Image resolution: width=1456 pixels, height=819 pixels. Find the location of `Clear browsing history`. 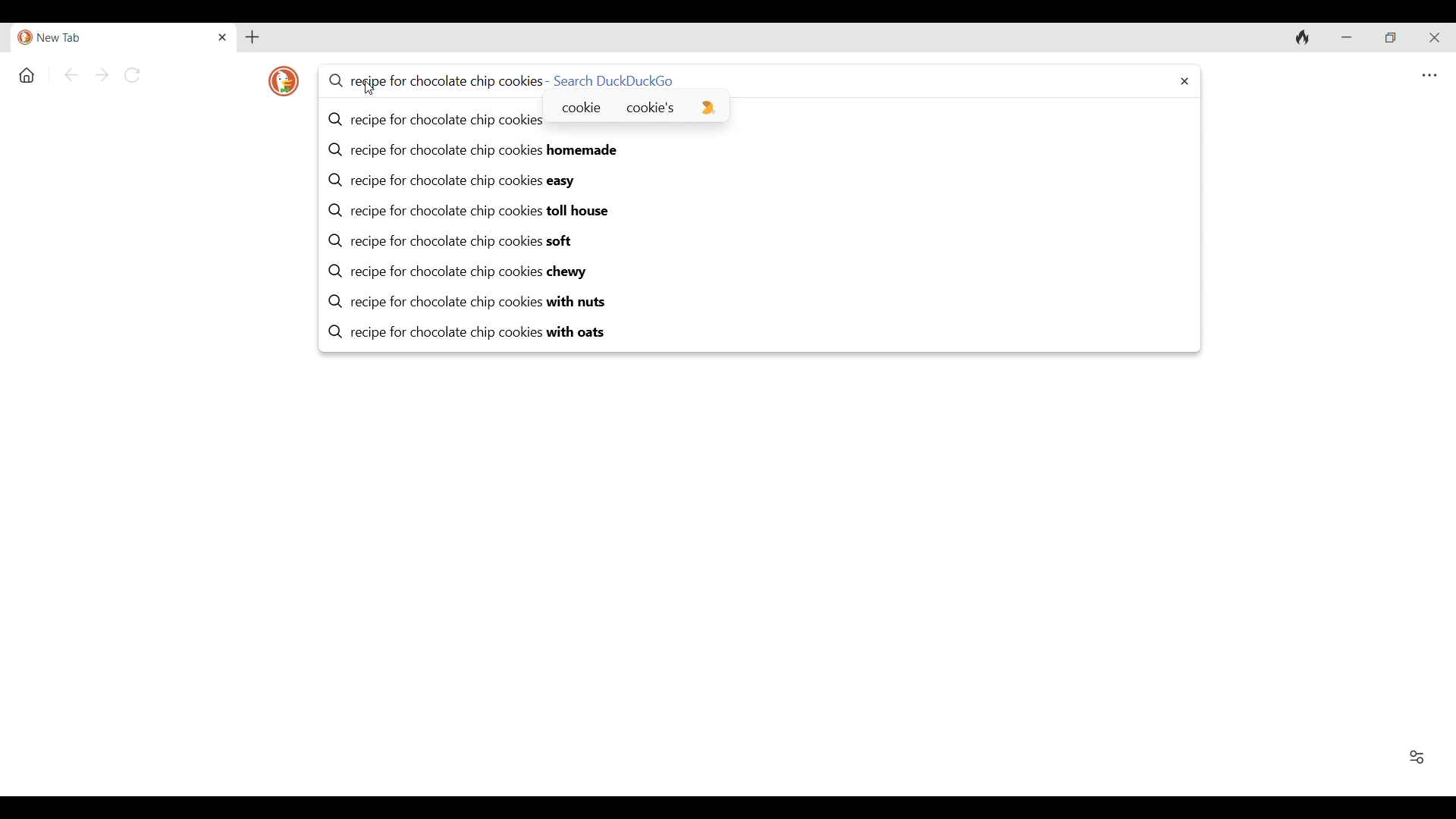

Clear browsing history is located at coordinates (1302, 38).